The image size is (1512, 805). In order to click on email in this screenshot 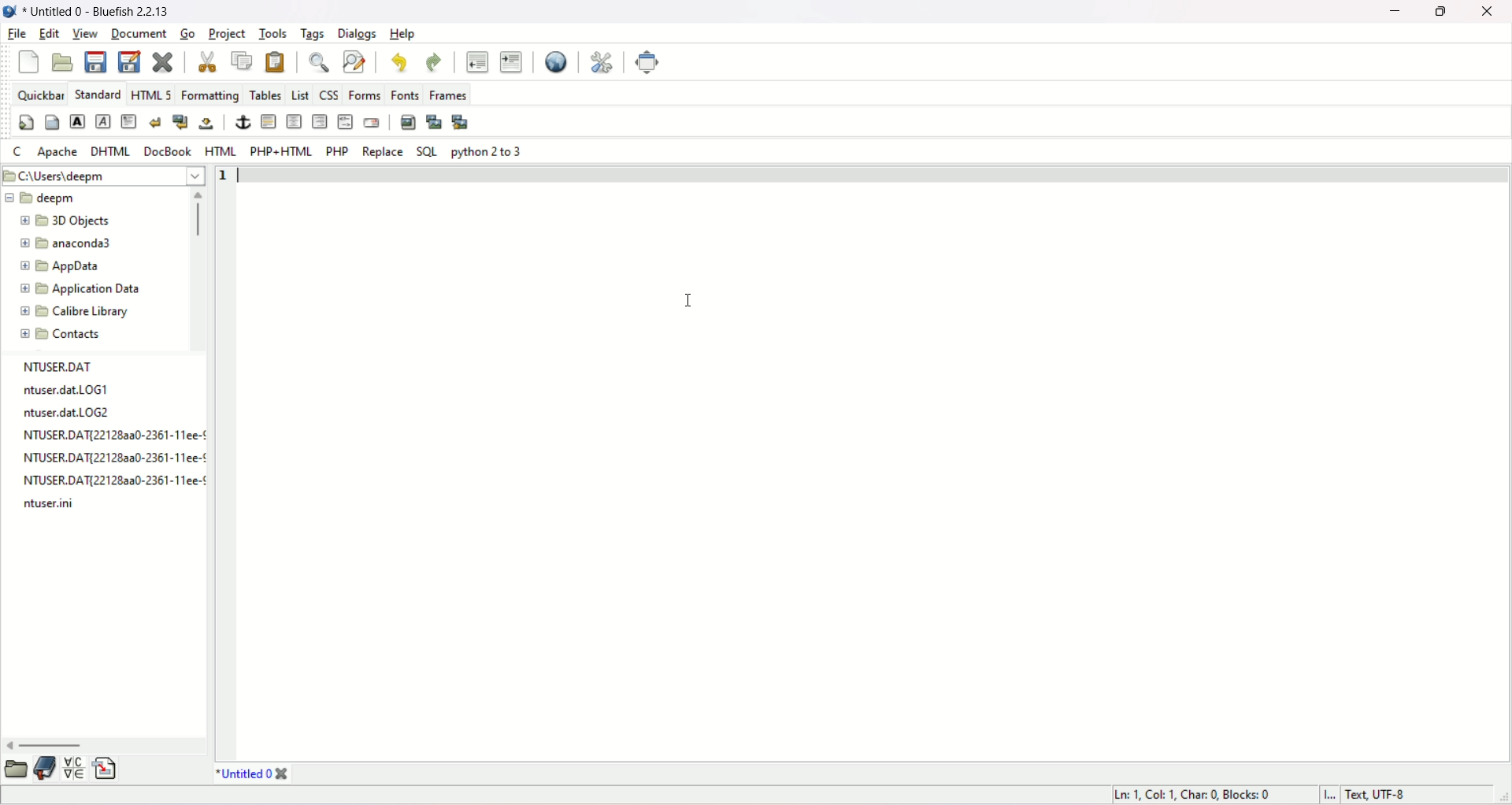, I will do `click(372, 121)`.